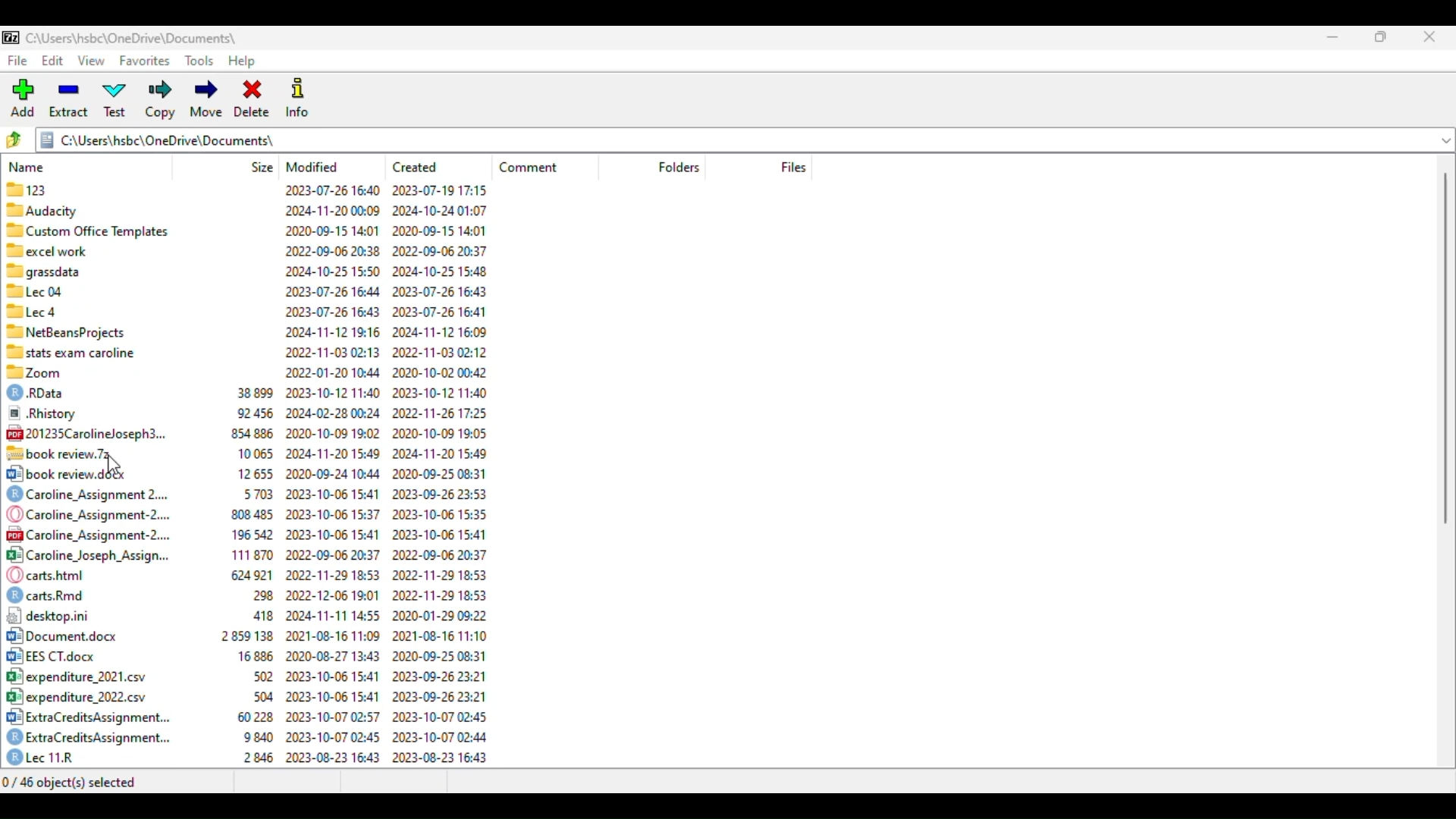  I want to click on folder name, so click(133, 37).